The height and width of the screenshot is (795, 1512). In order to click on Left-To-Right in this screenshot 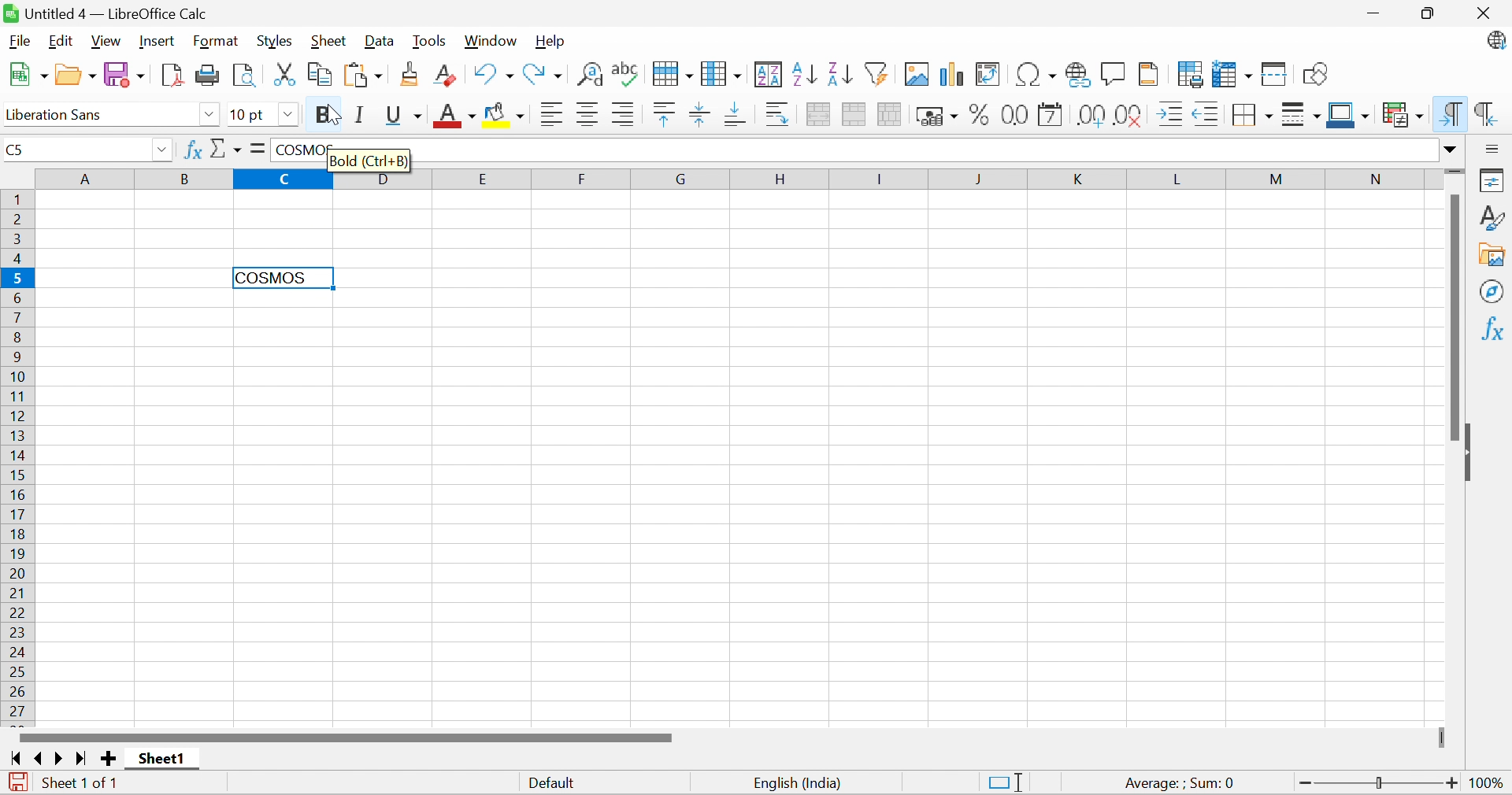, I will do `click(1452, 114)`.